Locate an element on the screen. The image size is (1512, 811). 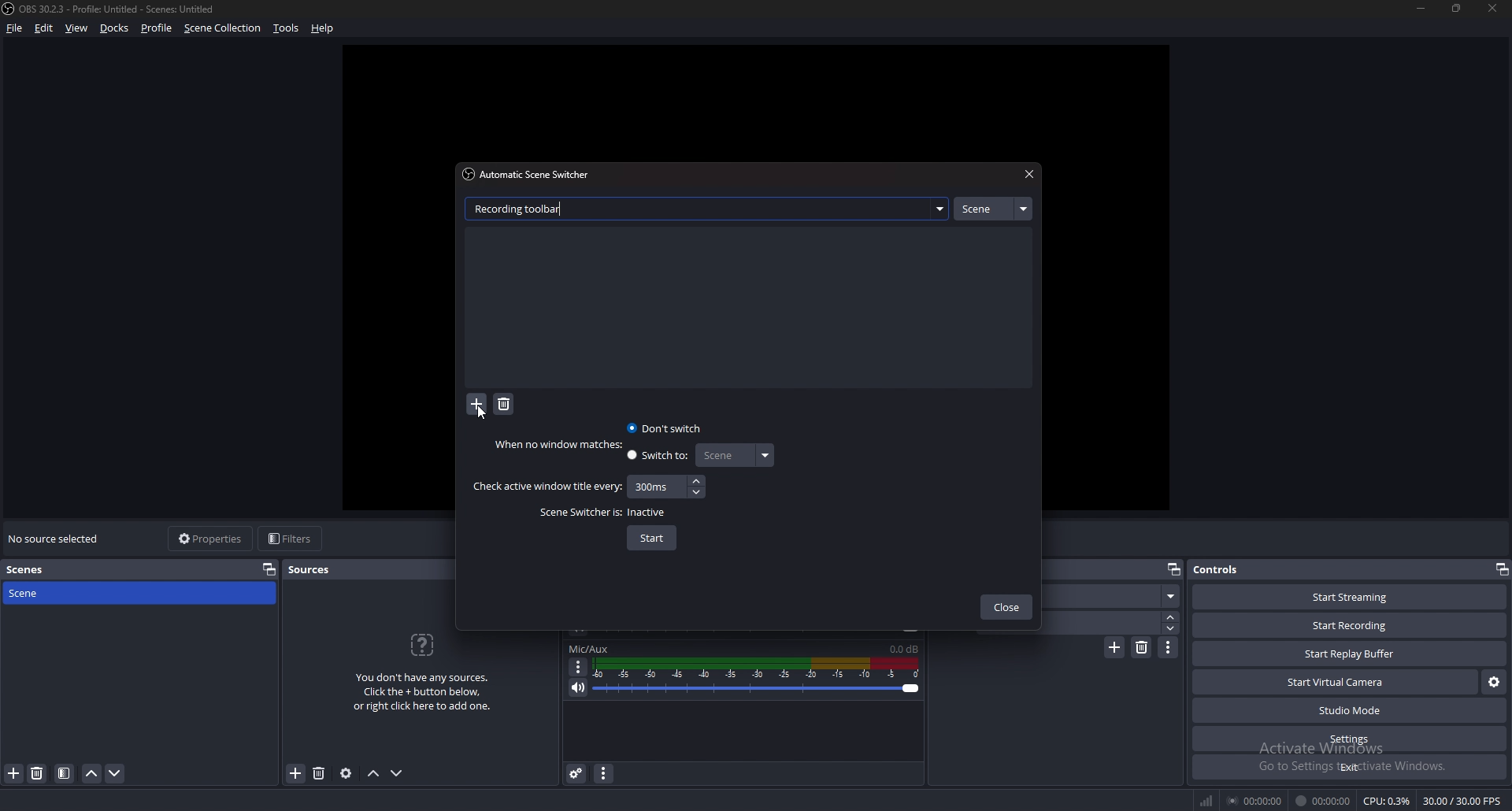
cpu is located at coordinates (1387, 801).